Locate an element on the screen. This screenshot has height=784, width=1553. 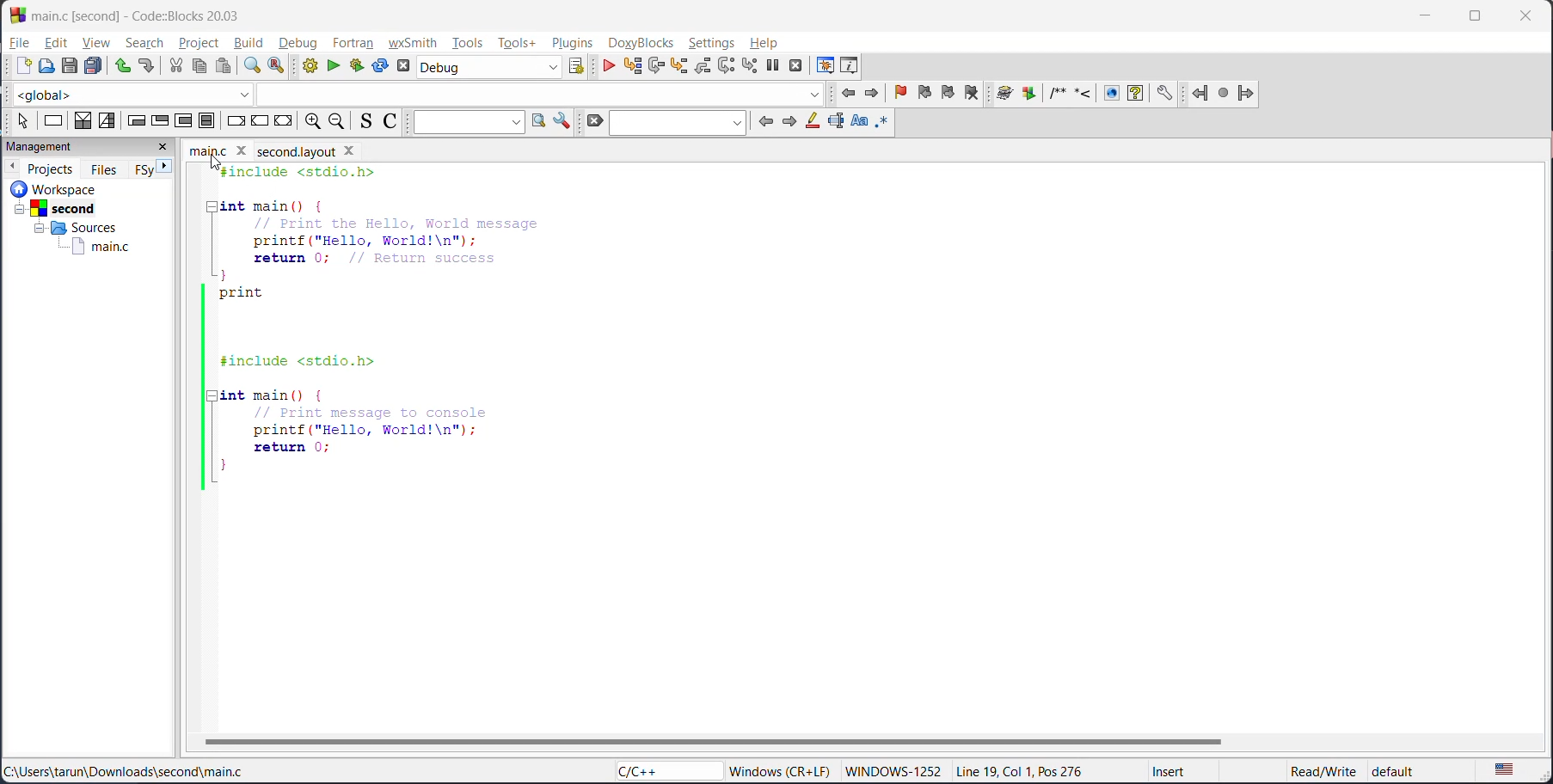
redo is located at coordinates (147, 65).